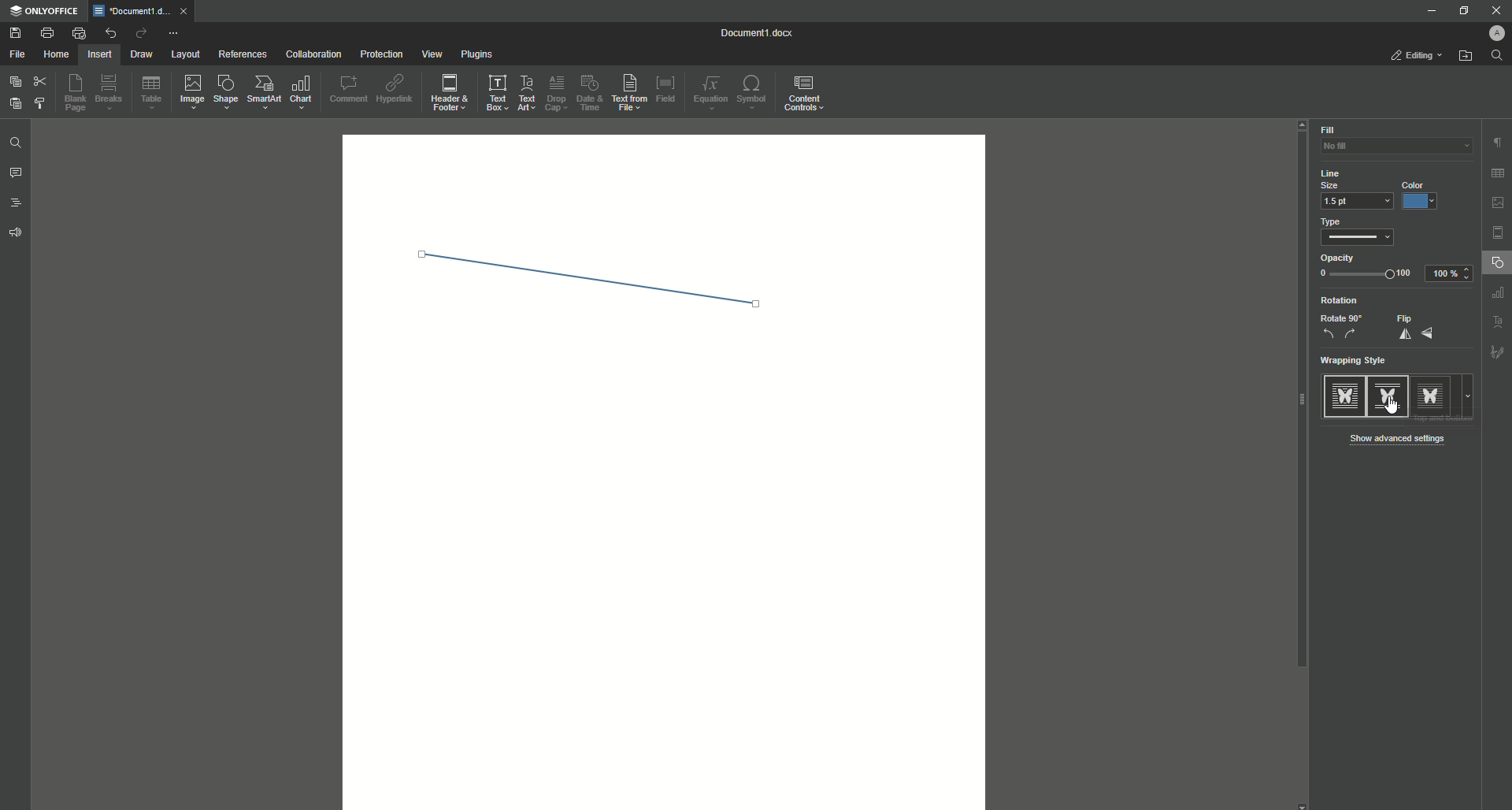 This screenshot has height=810, width=1512. I want to click on Opacity, so click(1390, 269).